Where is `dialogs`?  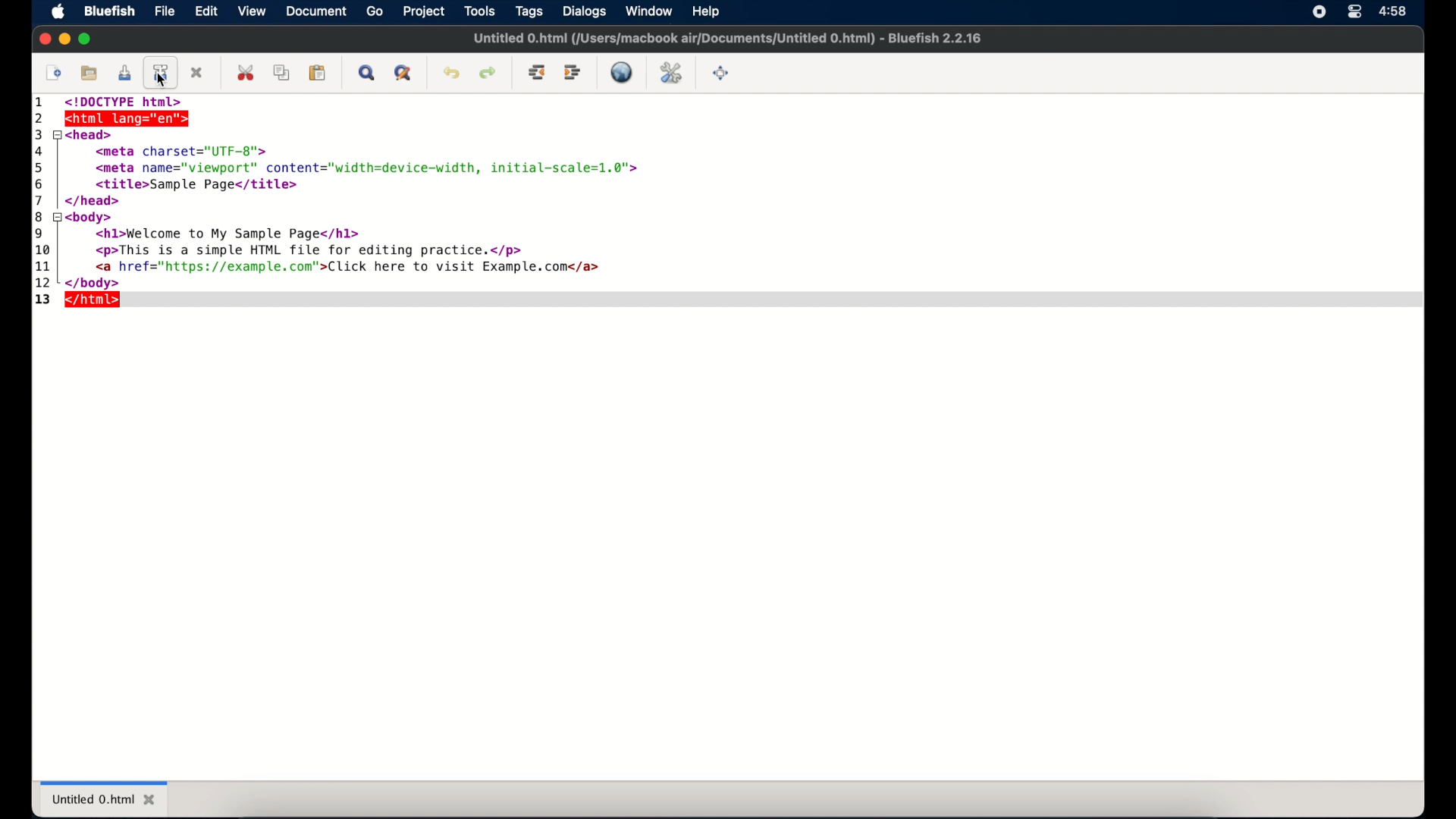
dialogs is located at coordinates (584, 11).